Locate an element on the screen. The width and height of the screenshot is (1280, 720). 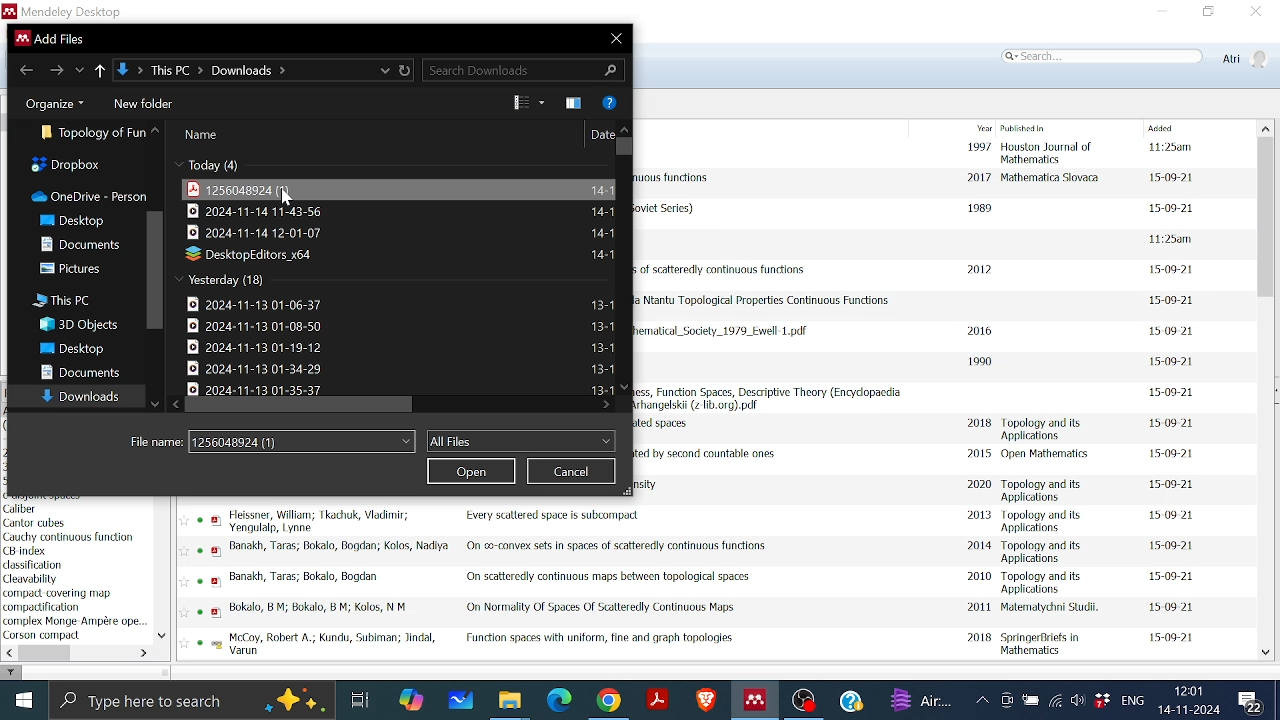
Author is located at coordinates (319, 606).